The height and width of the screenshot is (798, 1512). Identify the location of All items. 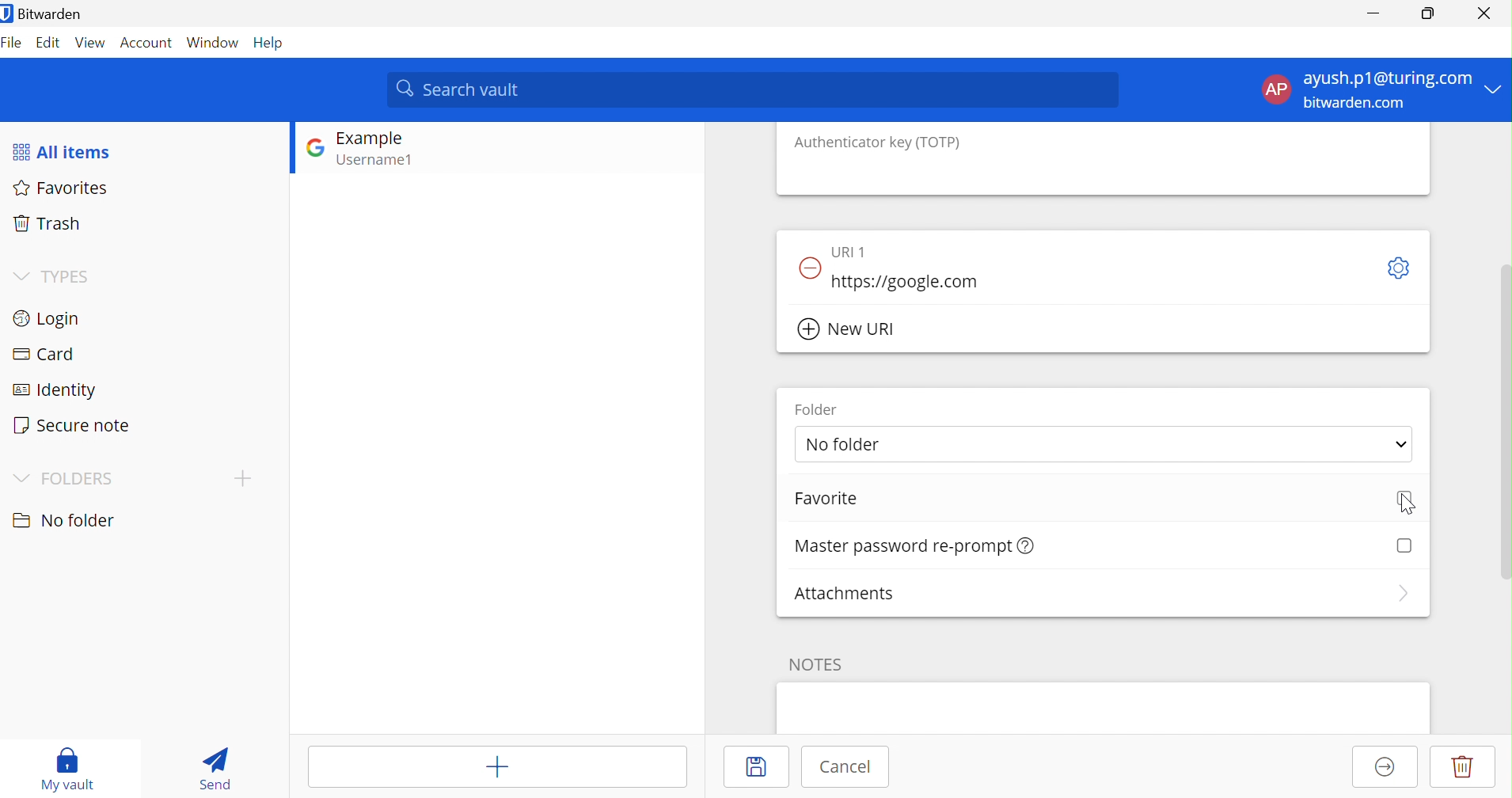
(63, 150).